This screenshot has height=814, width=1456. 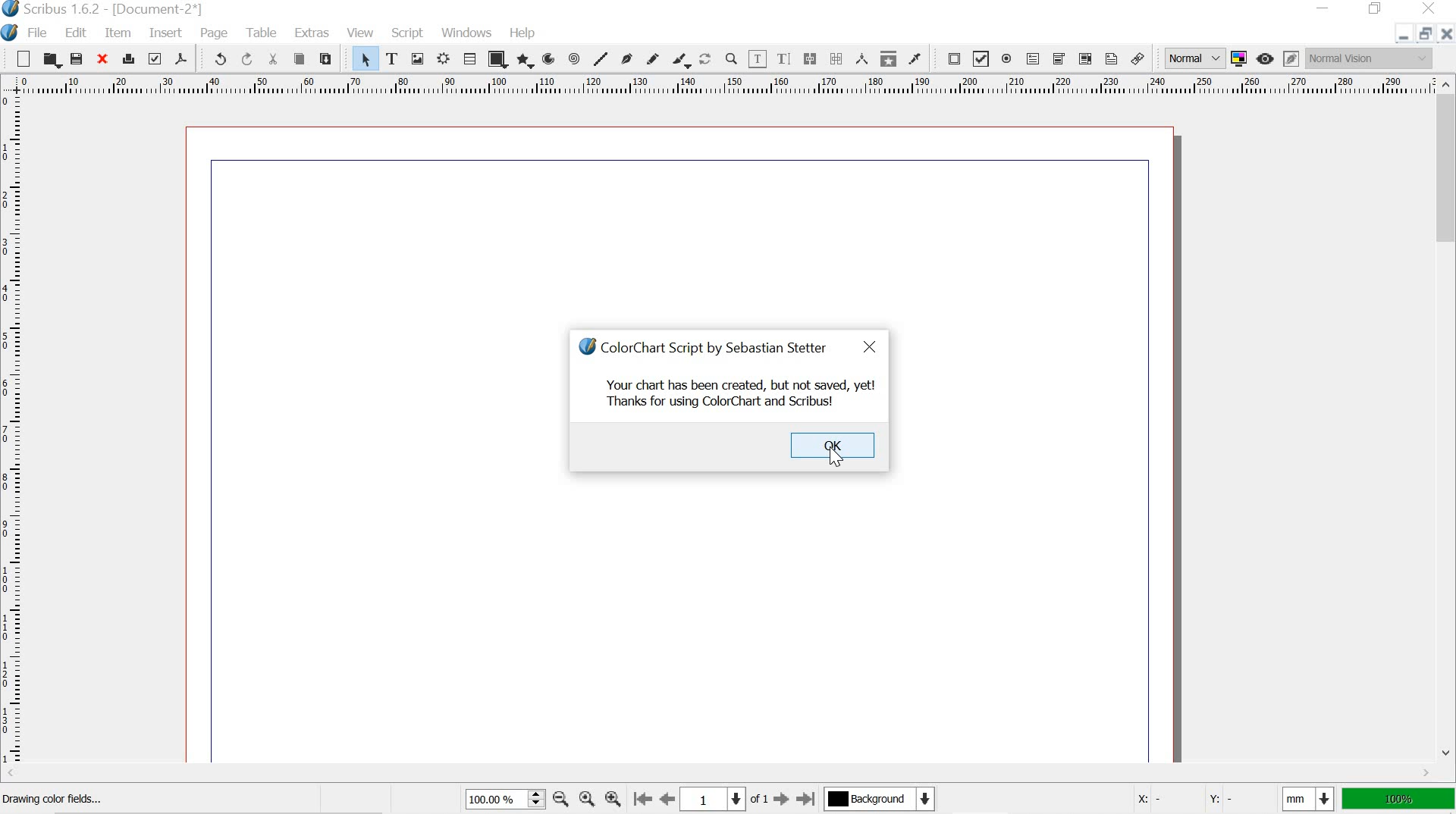 What do you see at coordinates (757, 59) in the screenshot?
I see `edit contents of frame` at bounding box center [757, 59].